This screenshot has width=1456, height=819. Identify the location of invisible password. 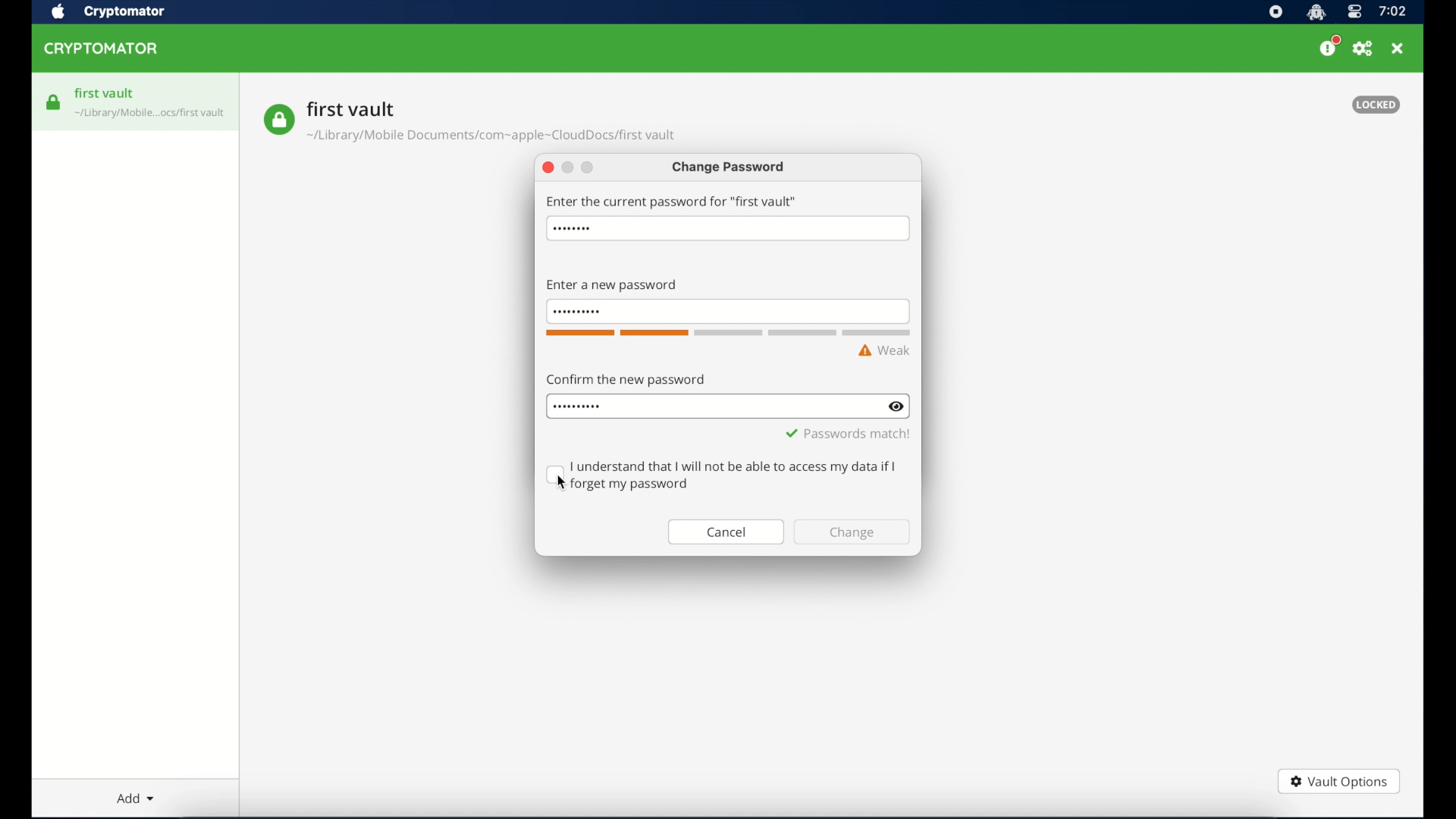
(574, 312).